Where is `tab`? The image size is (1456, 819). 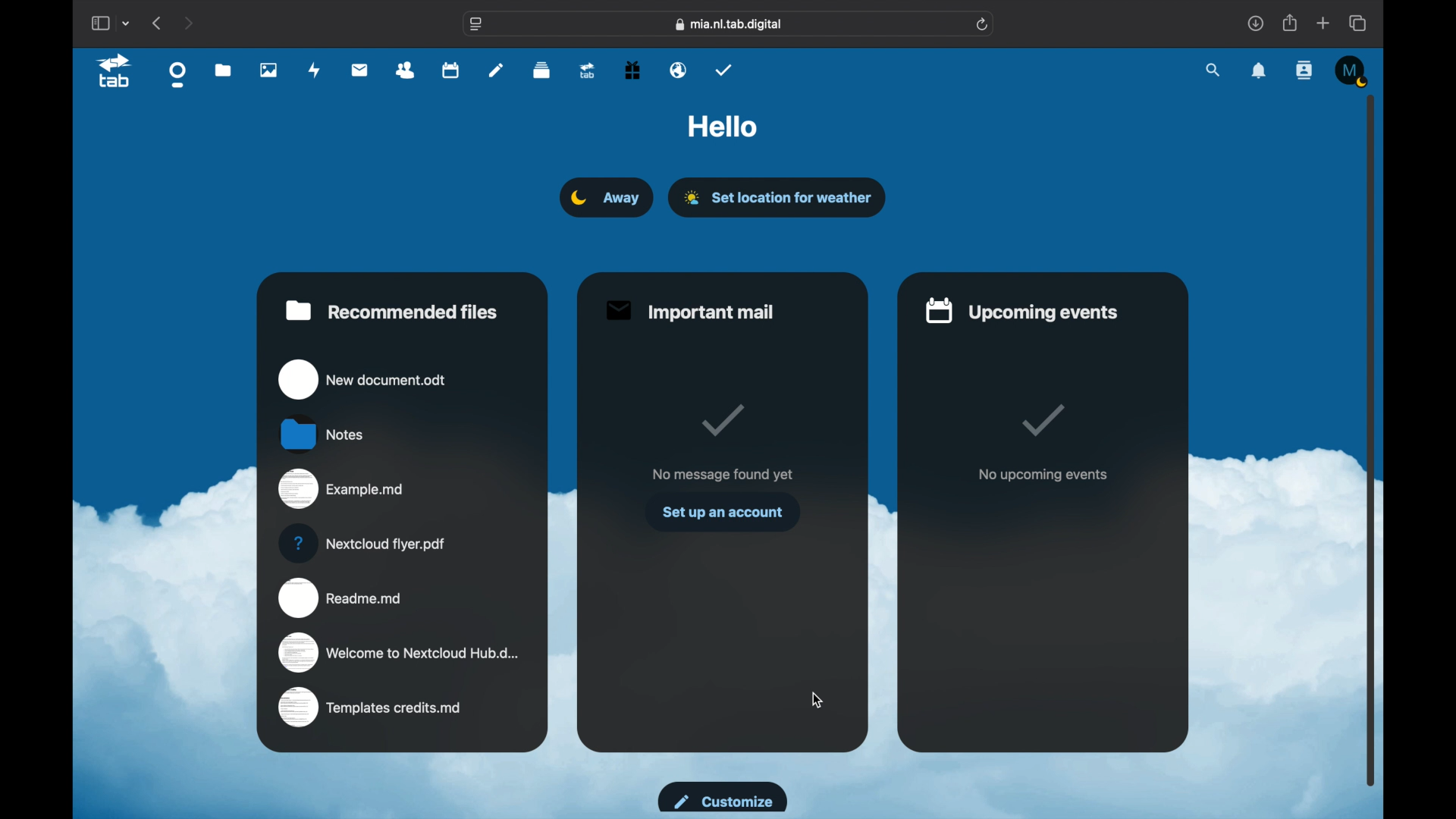 tab is located at coordinates (588, 70).